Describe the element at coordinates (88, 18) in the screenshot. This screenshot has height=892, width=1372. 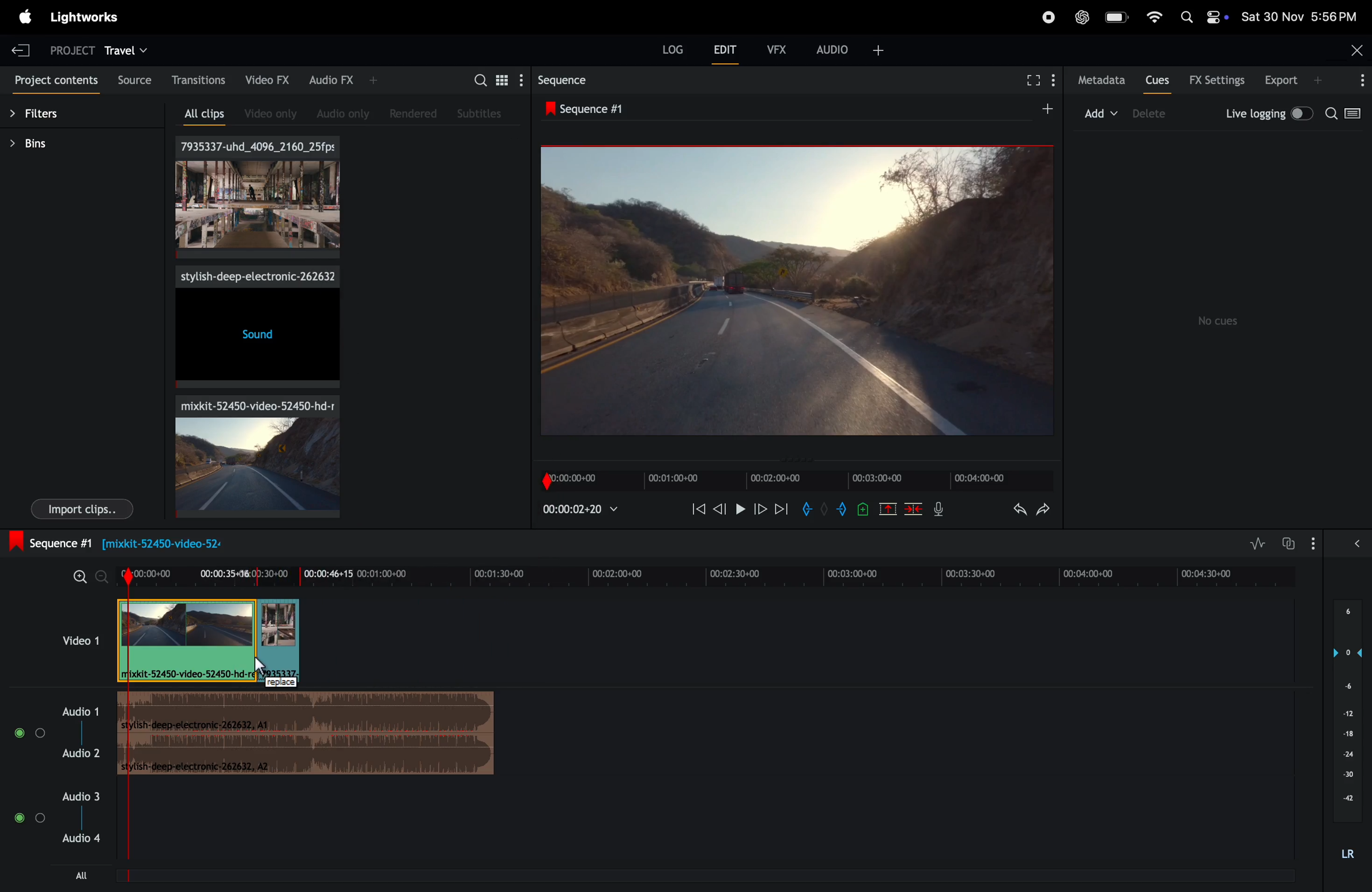
I see `light works` at that location.